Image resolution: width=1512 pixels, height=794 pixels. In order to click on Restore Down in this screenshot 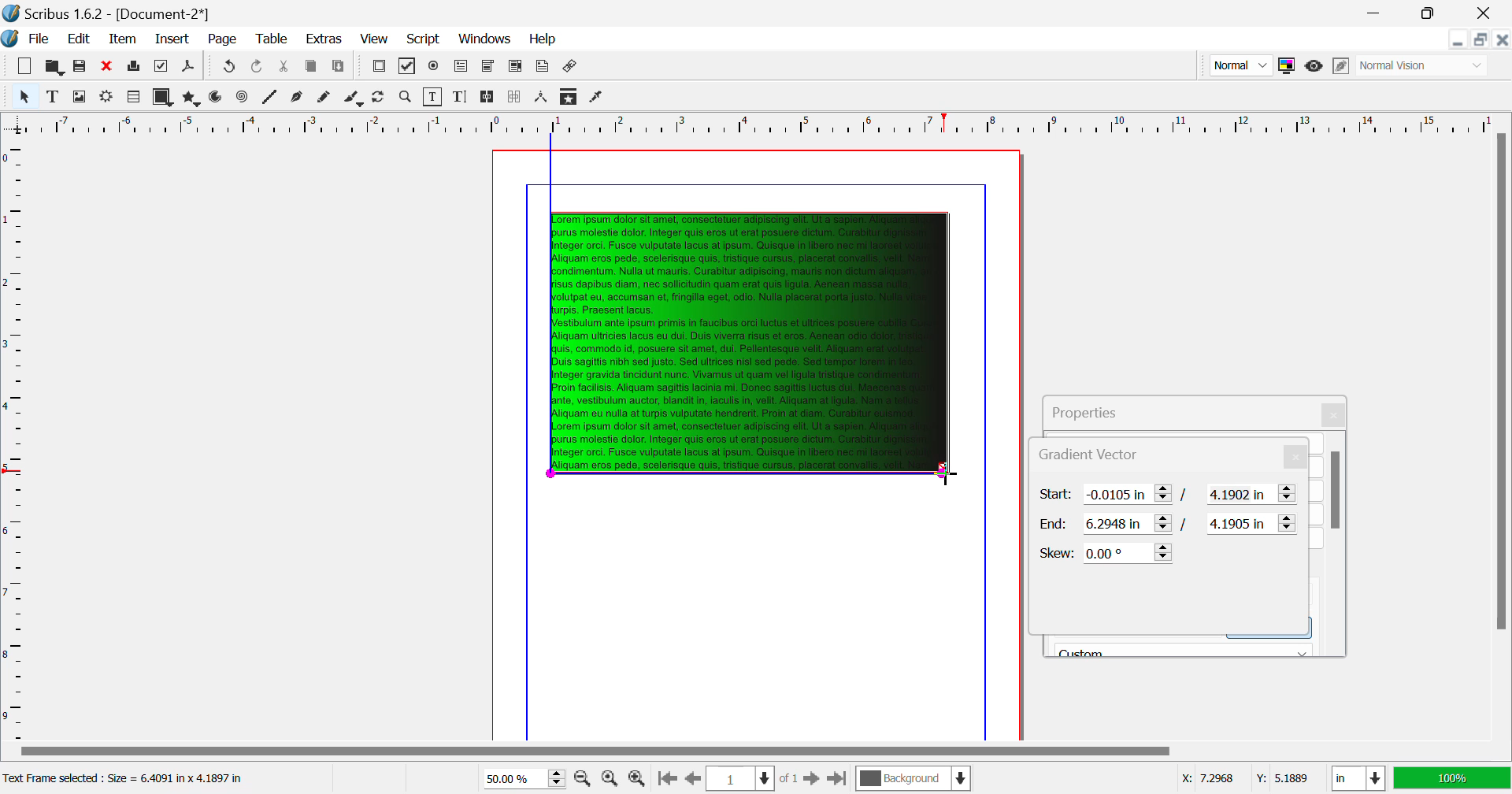, I will do `click(1459, 39)`.